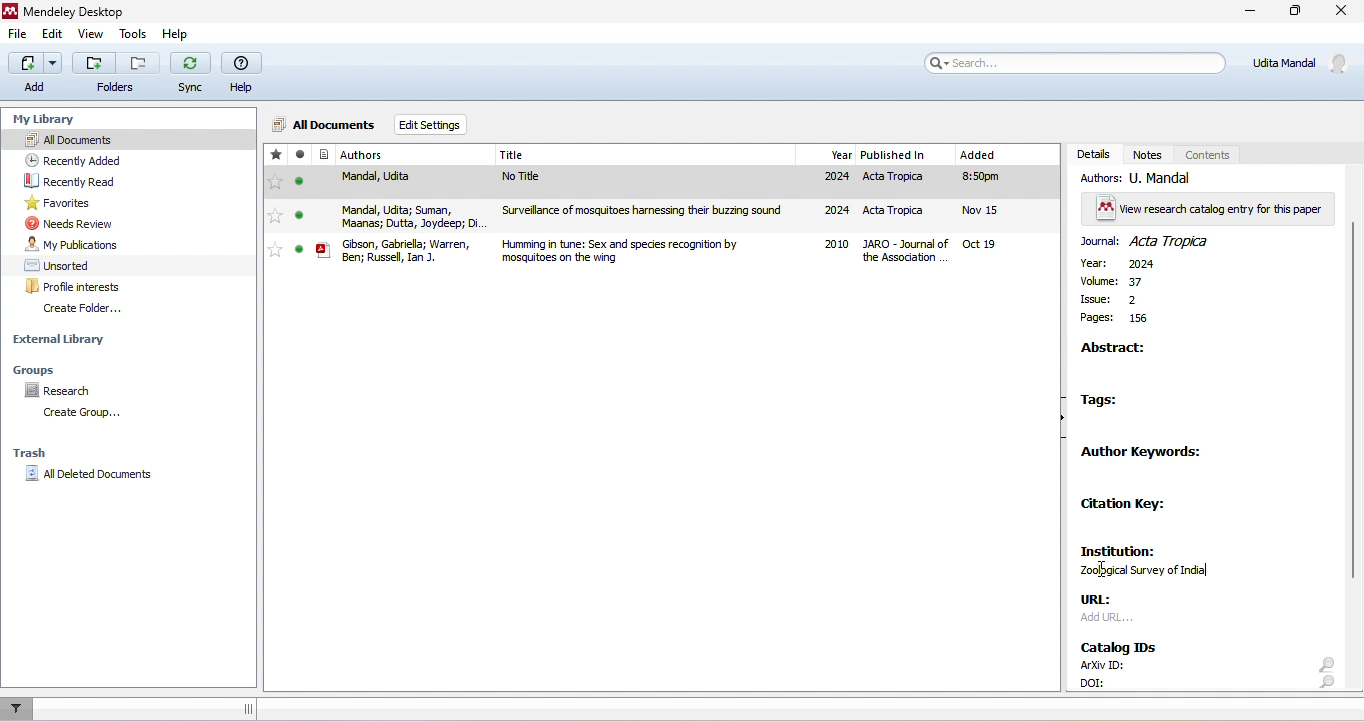 The image size is (1364, 722). Describe the element at coordinates (275, 250) in the screenshot. I see `favorites toggle` at that location.